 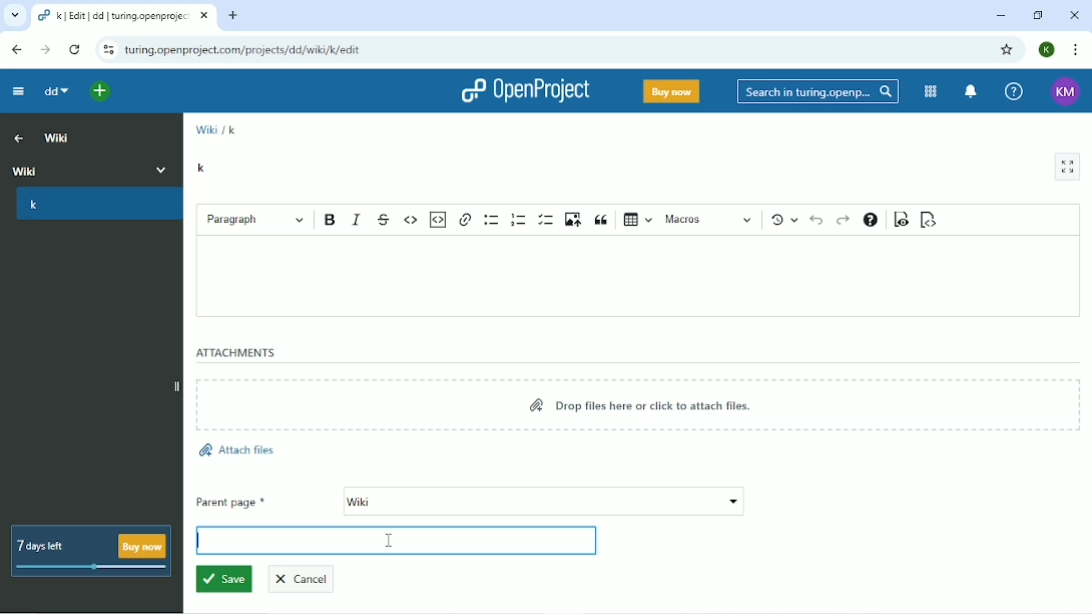 What do you see at coordinates (205, 129) in the screenshot?
I see `Wiki` at bounding box center [205, 129].